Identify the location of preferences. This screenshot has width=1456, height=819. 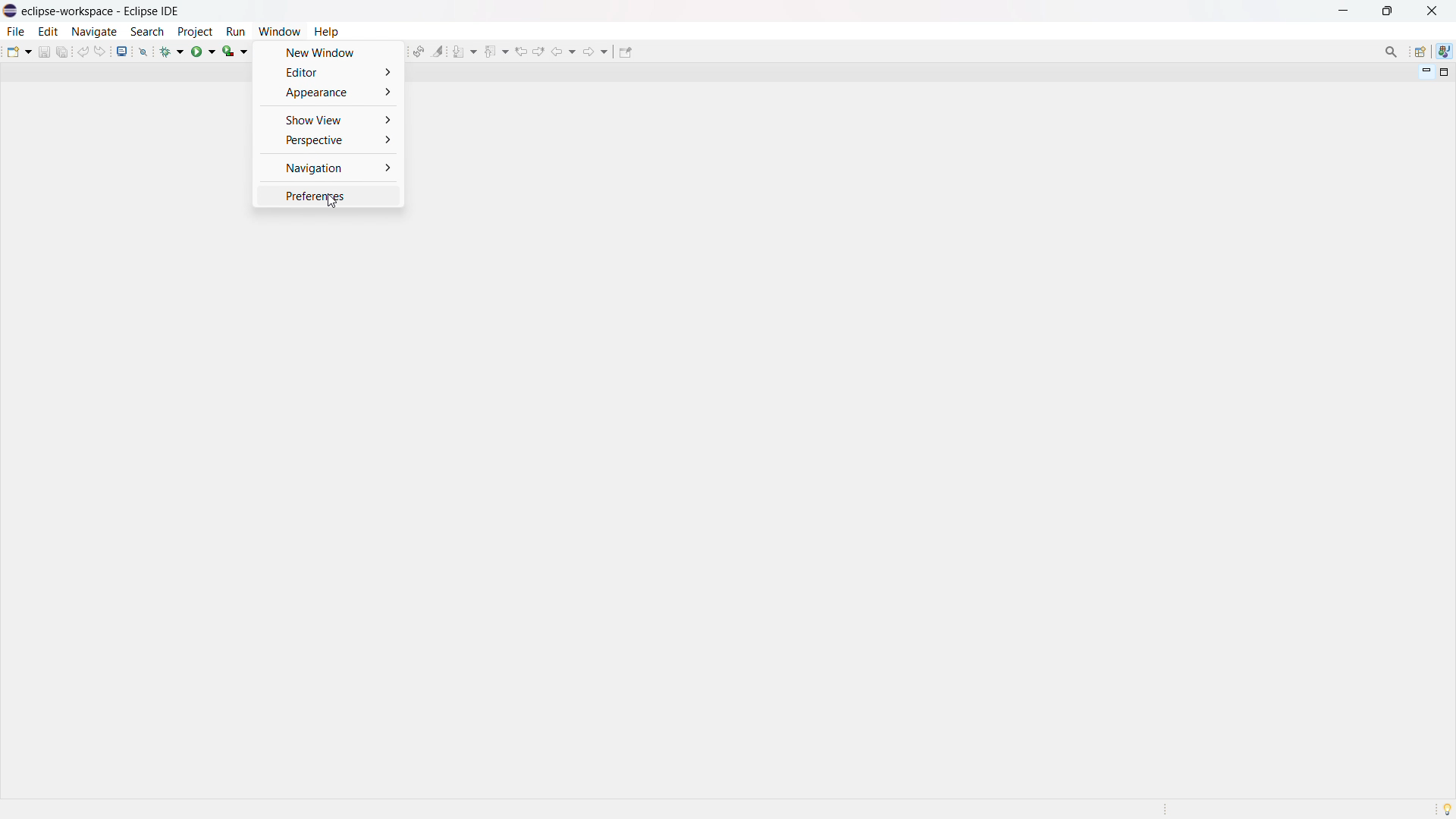
(328, 196).